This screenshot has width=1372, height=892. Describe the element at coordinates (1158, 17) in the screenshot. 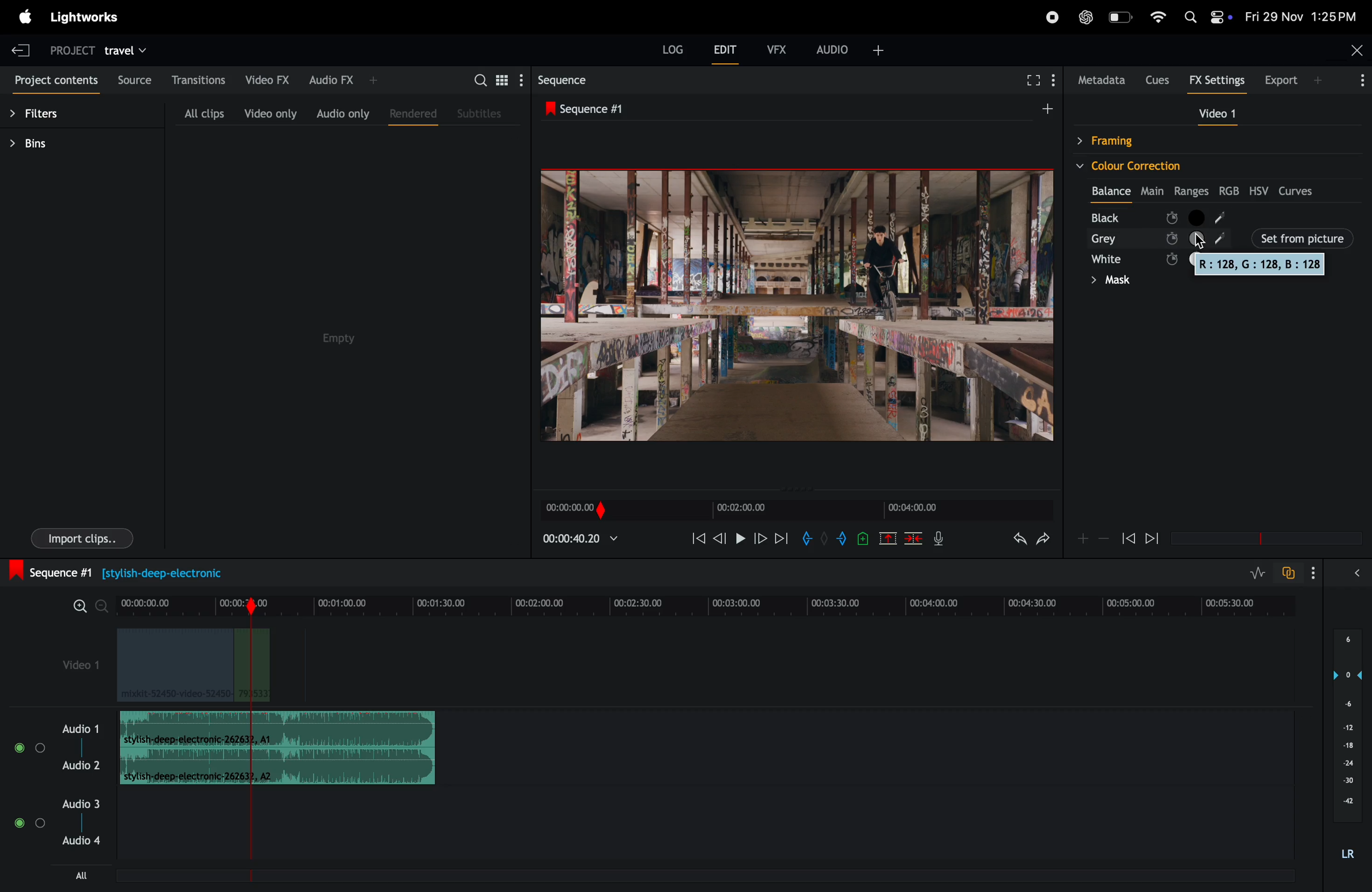

I see `wifi` at that location.